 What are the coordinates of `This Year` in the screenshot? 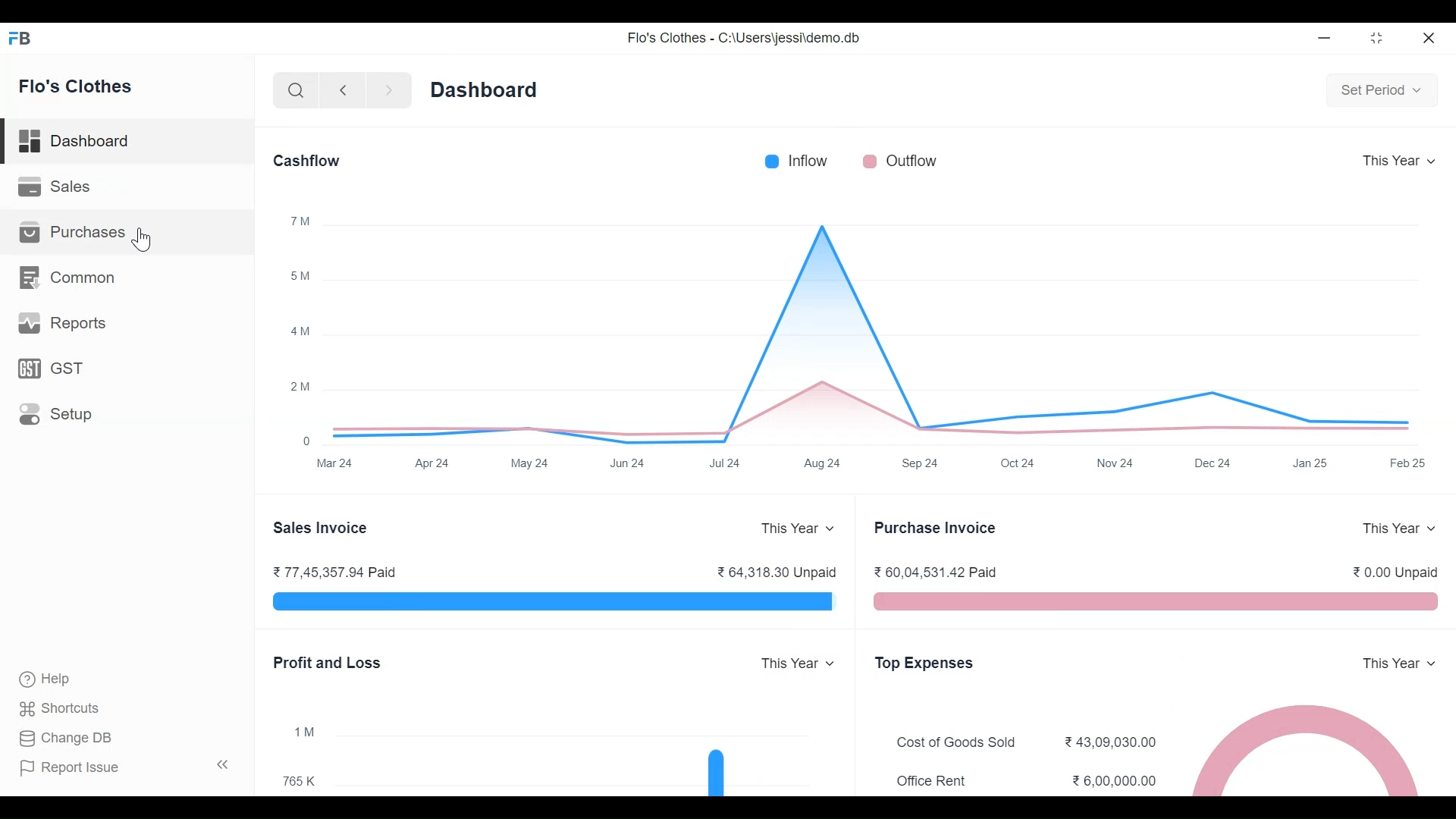 It's located at (1399, 160).